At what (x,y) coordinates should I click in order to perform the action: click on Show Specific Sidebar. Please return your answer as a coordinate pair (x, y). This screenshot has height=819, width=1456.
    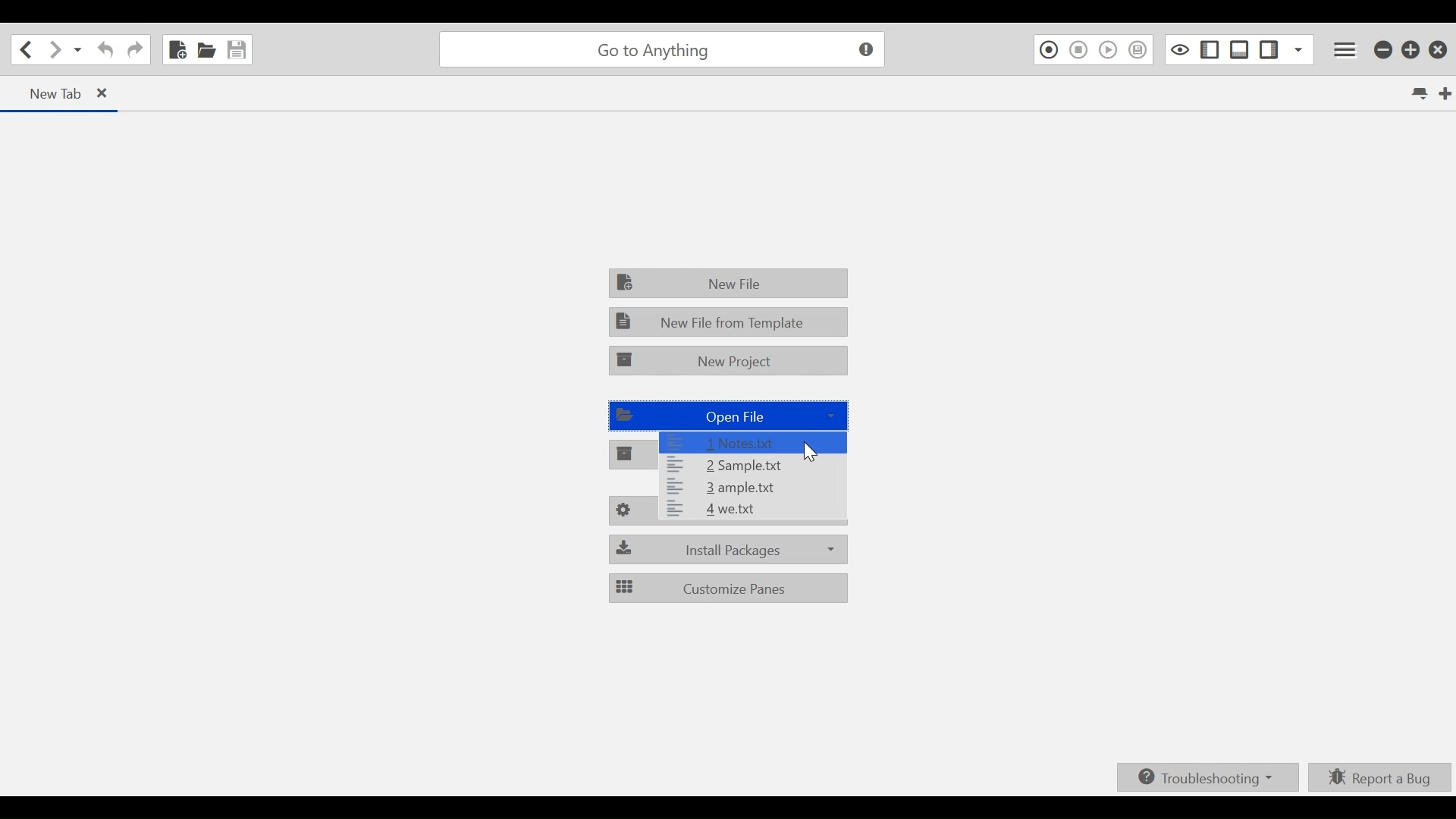
    Looking at the image, I should click on (1299, 49).